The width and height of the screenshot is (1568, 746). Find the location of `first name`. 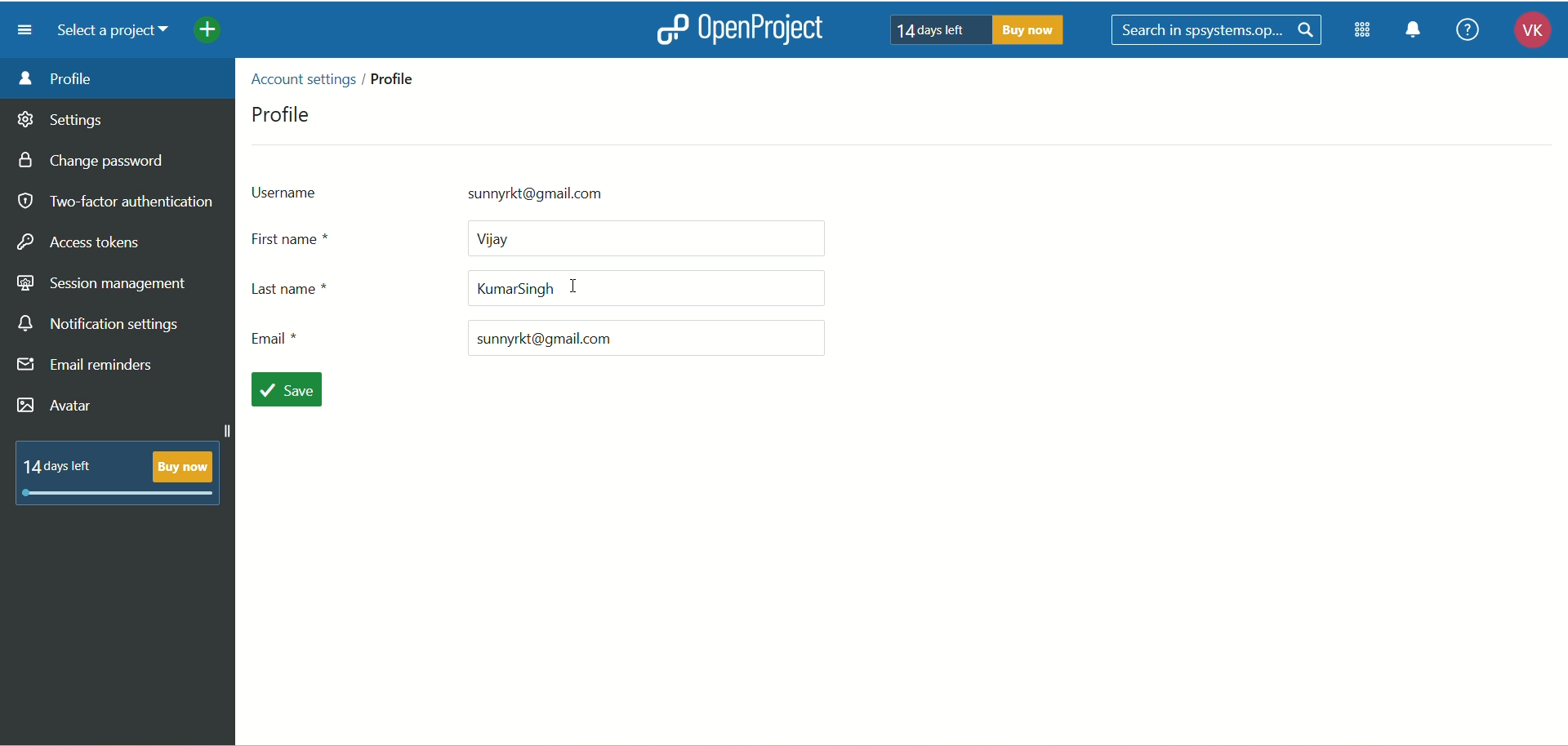

first name is located at coordinates (543, 238).